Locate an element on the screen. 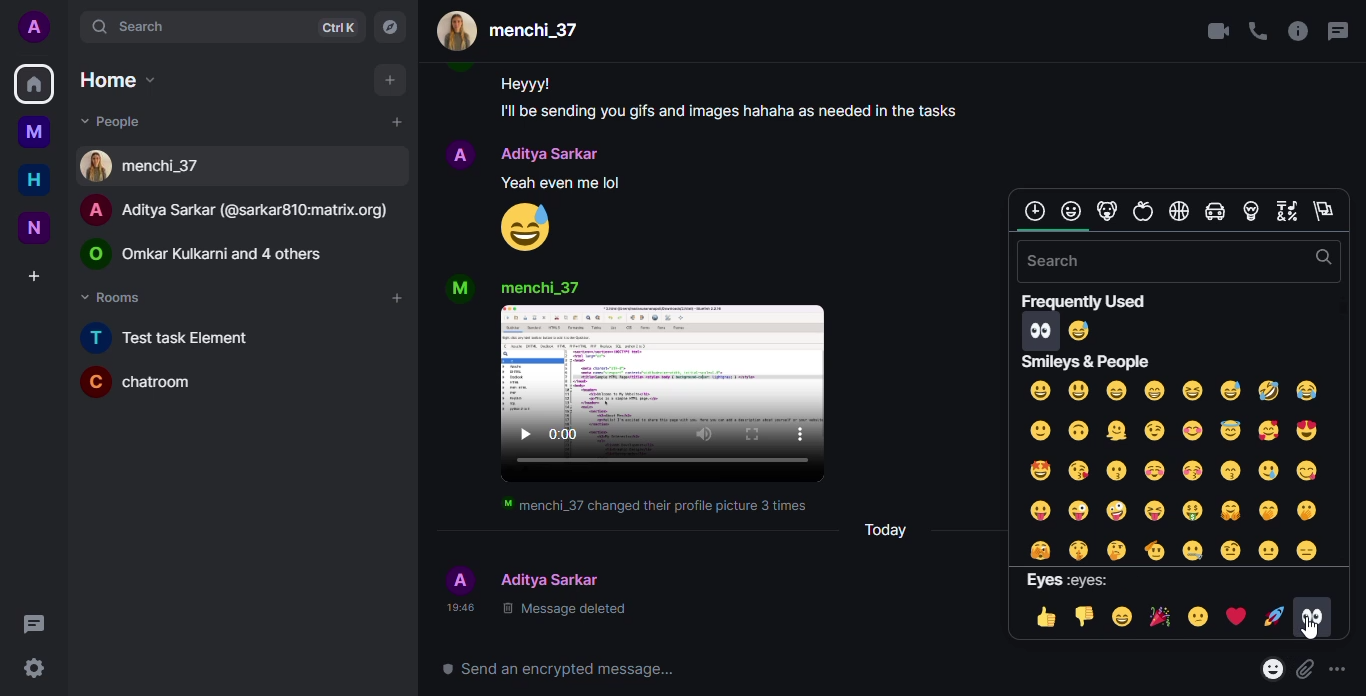 The image size is (1366, 696). send an encrypted message is located at coordinates (550, 667).